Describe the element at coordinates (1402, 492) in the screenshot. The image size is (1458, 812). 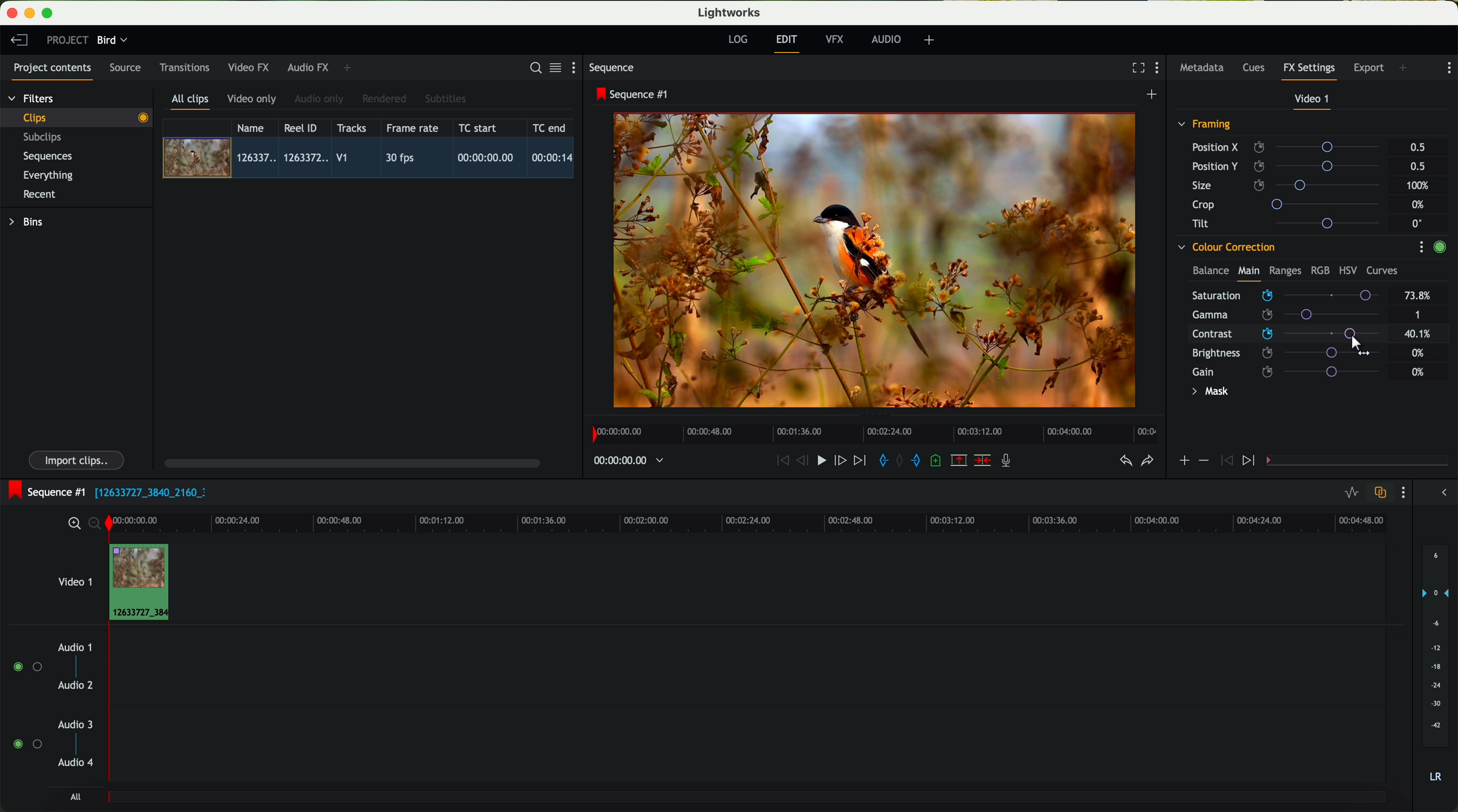
I see `show settings menu` at that location.